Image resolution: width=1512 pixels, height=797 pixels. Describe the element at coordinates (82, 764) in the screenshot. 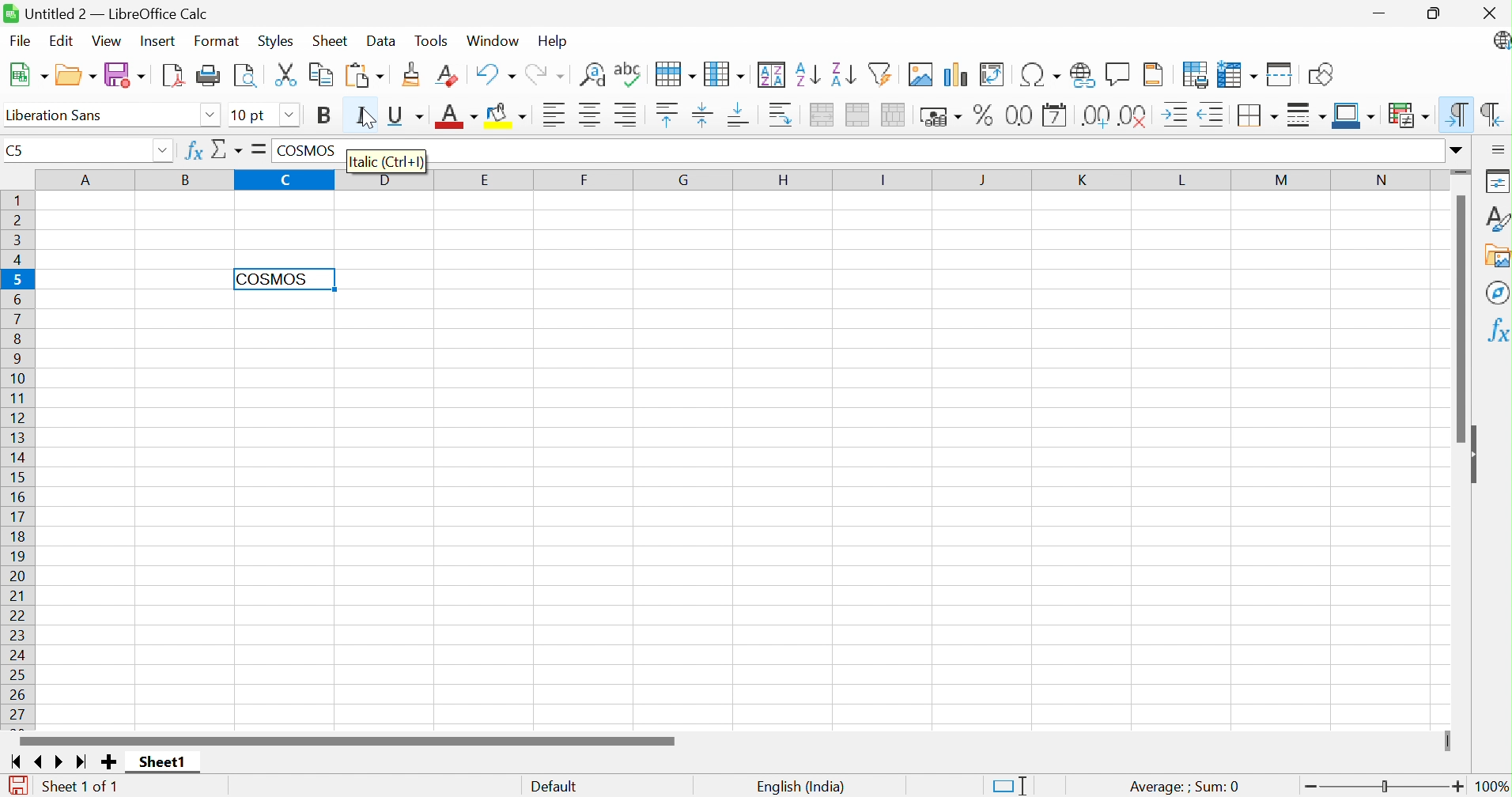

I see `Scroll to last sheet` at that location.